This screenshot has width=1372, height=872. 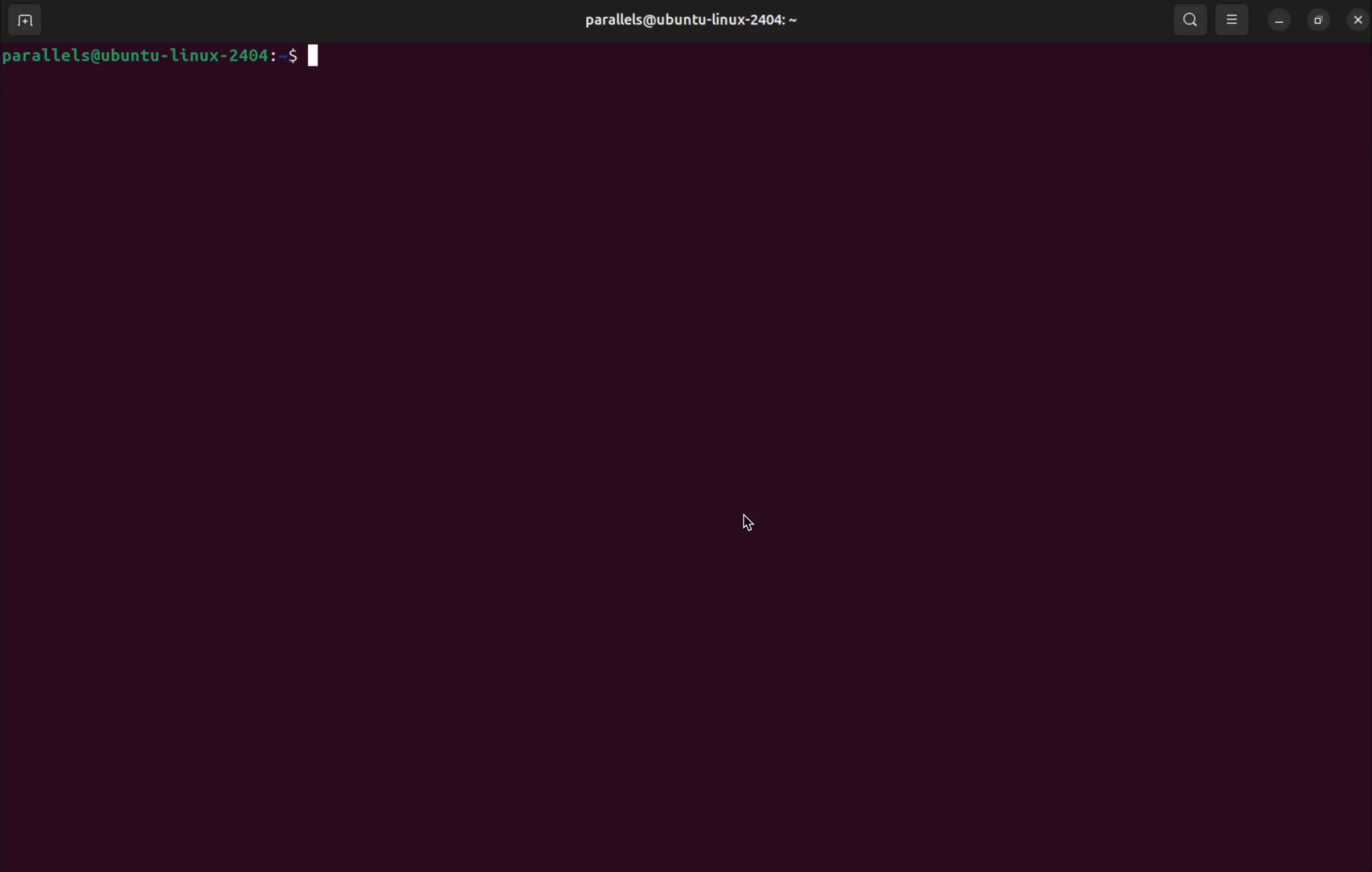 What do you see at coordinates (749, 524) in the screenshot?
I see `cursor` at bounding box center [749, 524].